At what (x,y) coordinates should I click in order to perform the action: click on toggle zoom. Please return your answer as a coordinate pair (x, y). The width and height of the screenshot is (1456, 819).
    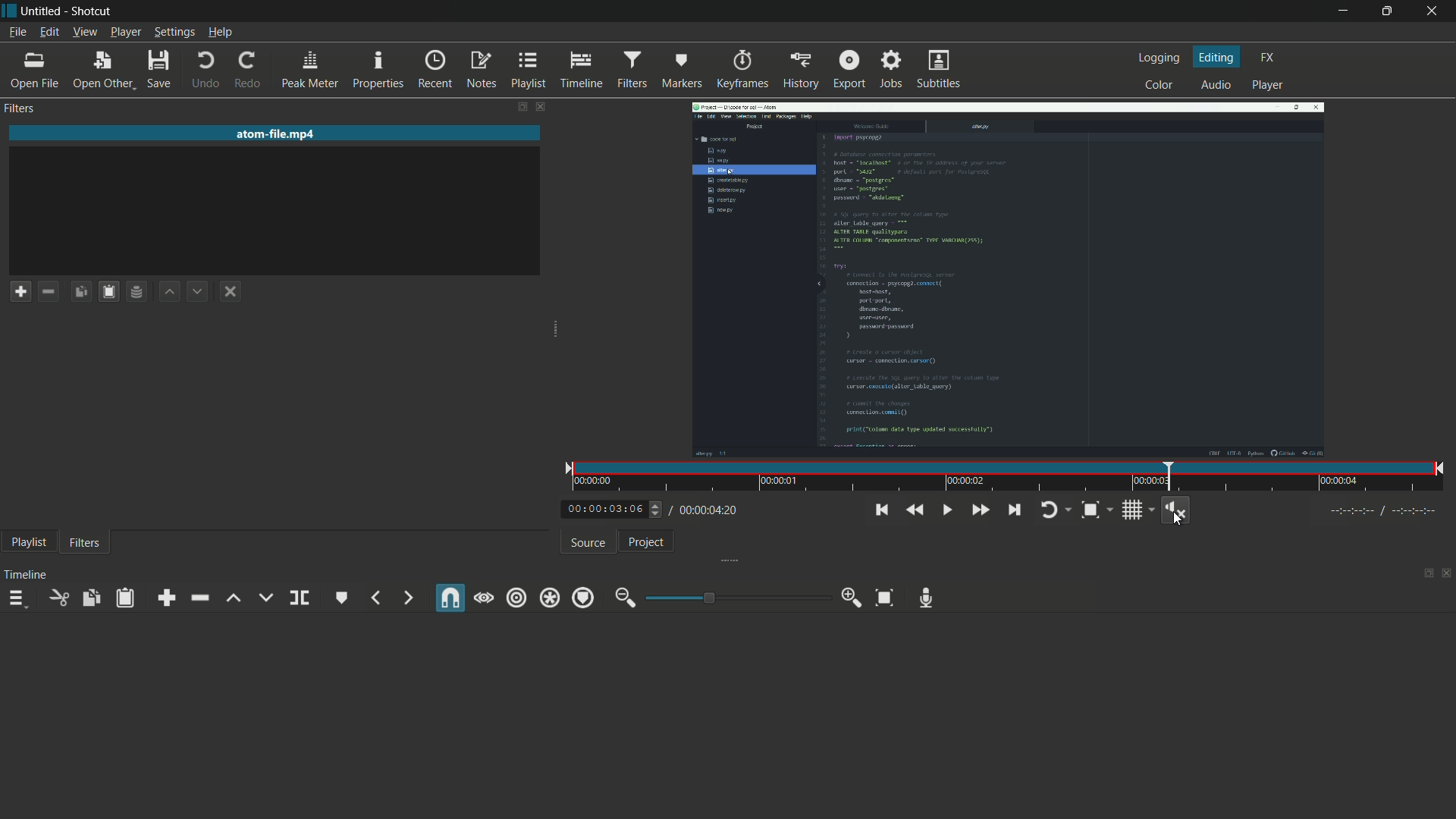
    Looking at the image, I should click on (1089, 510).